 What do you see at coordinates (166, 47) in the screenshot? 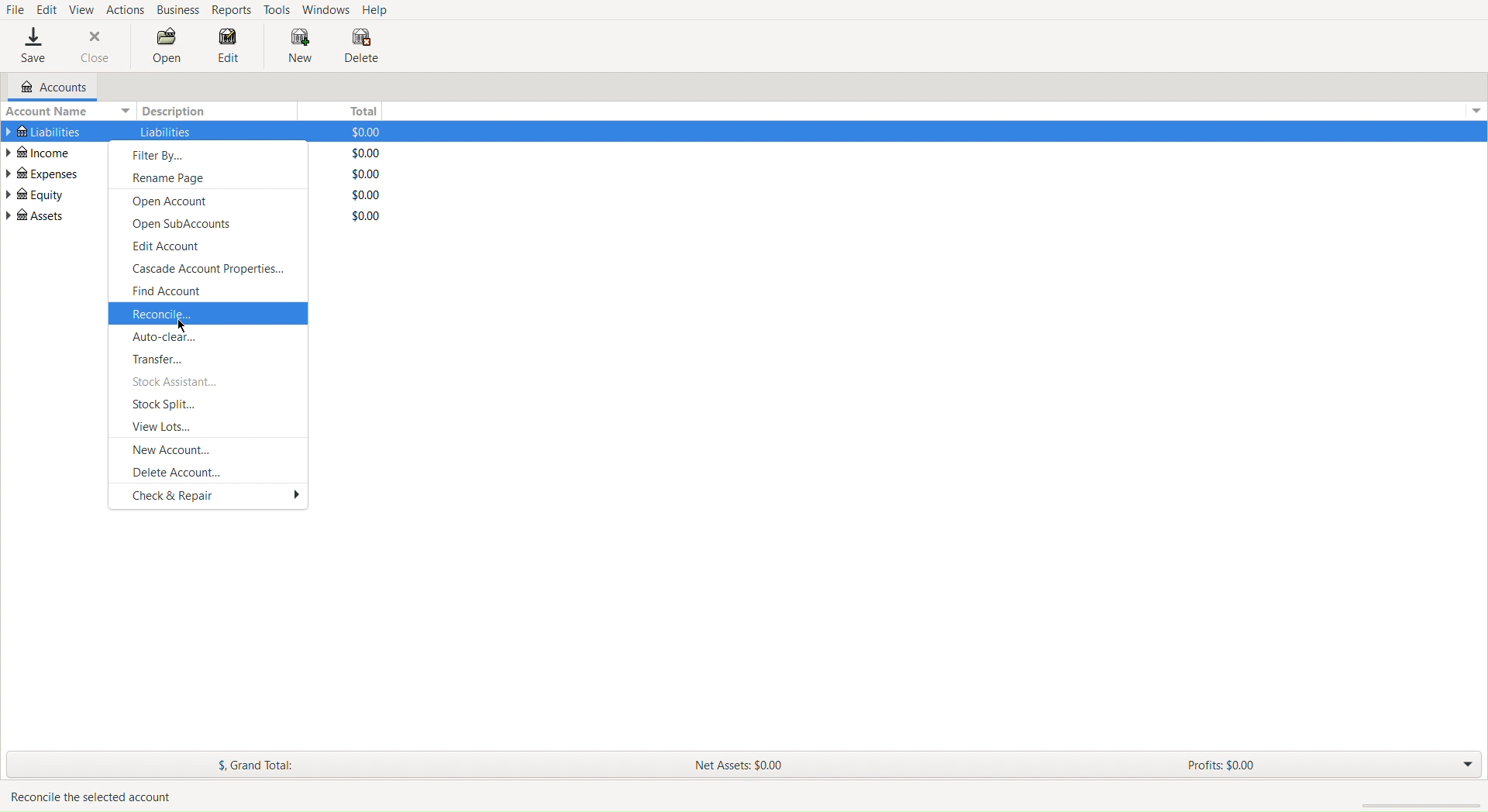
I see `Open` at bounding box center [166, 47].